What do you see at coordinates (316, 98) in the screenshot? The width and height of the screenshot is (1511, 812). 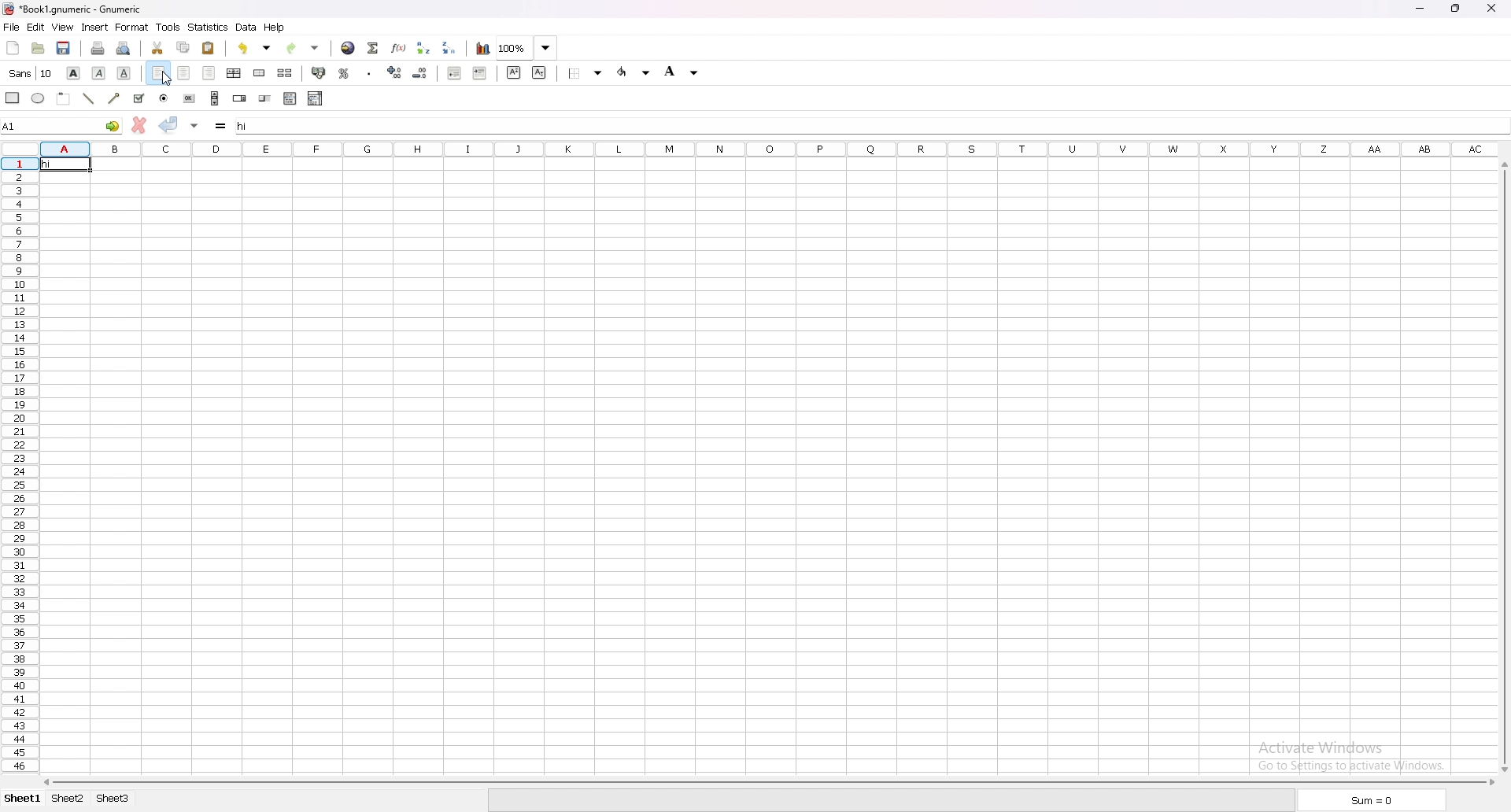 I see `combo box` at bounding box center [316, 98].